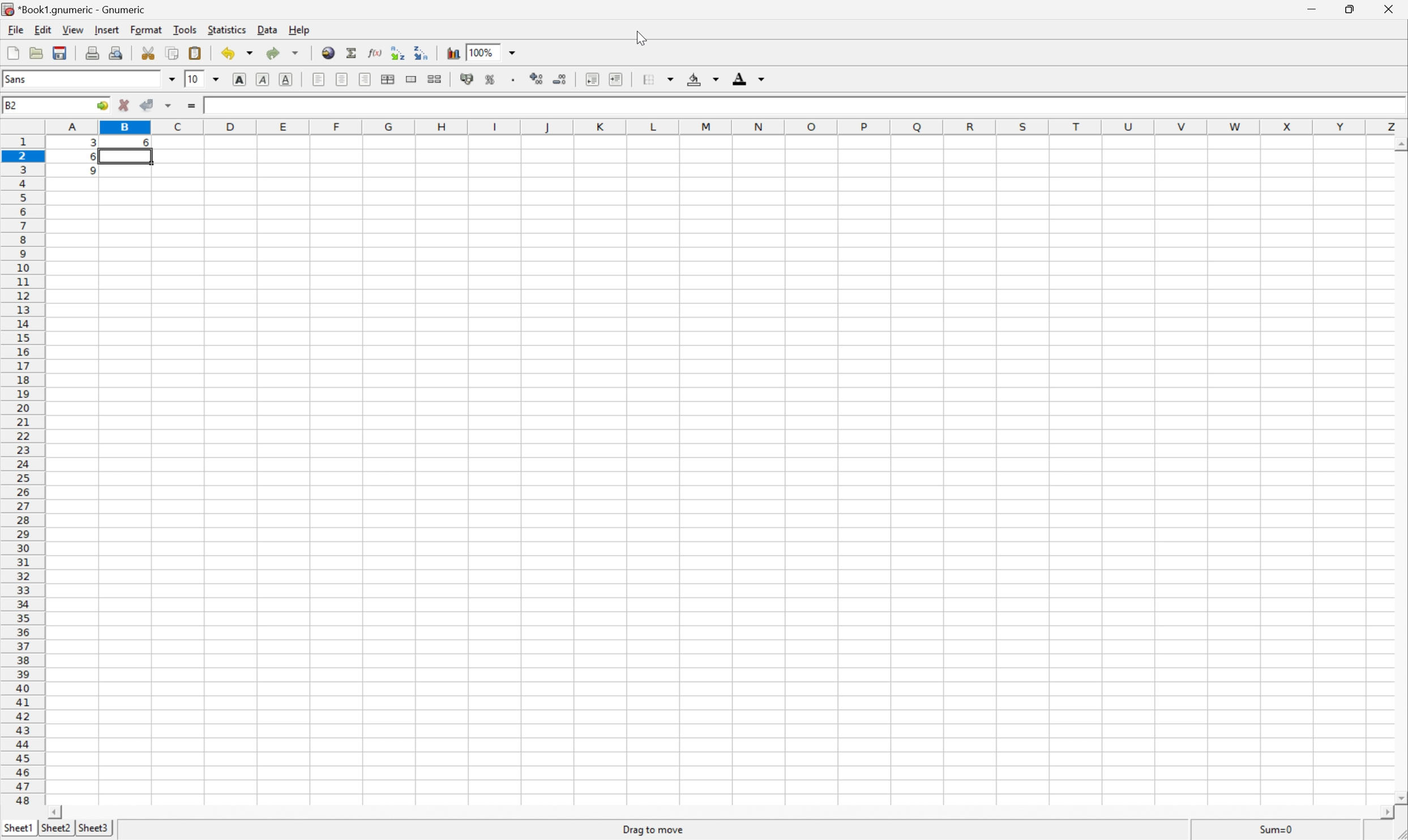 The height and width of the screenshot is (840, 1408). I want to click on Paste a clipboard, so click(194, 53).